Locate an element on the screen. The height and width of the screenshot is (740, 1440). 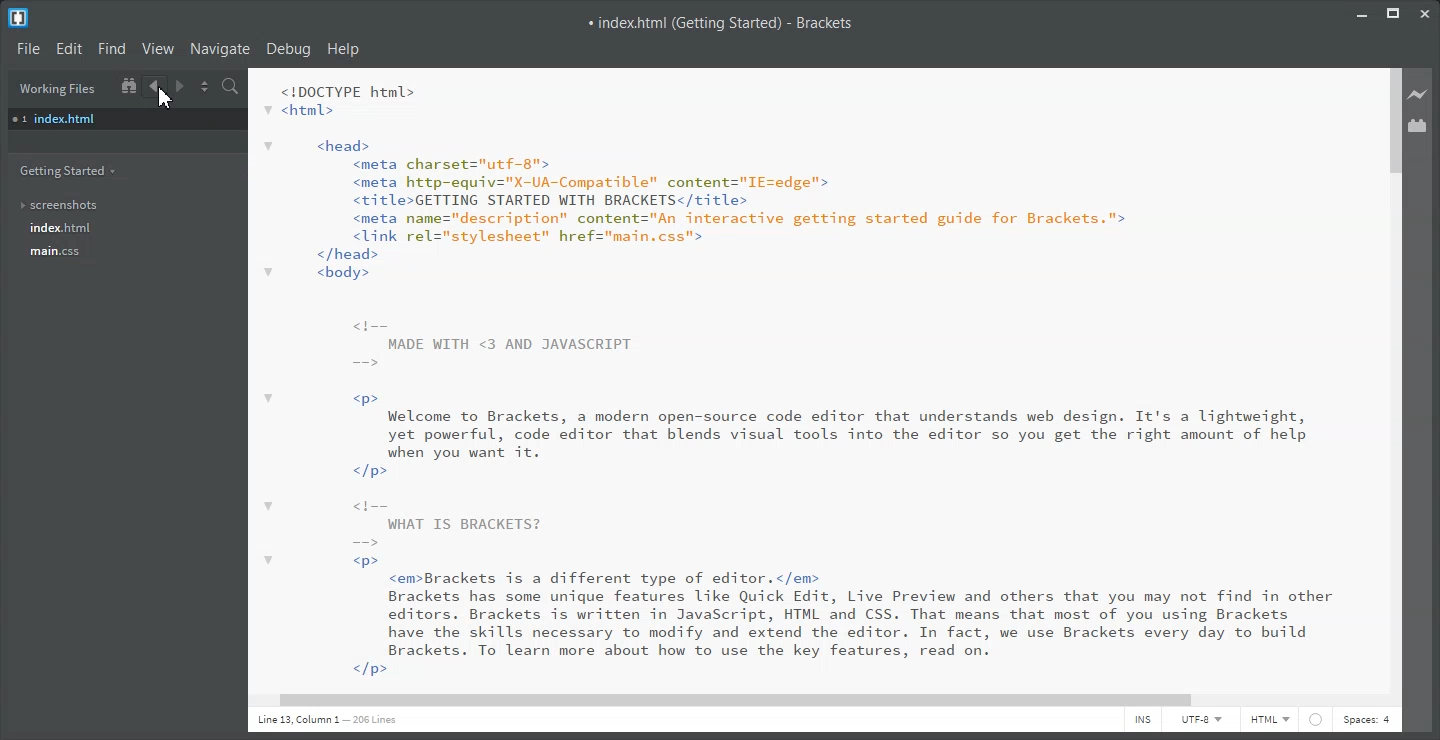
Find in Files is located at coordinates (231, 87).